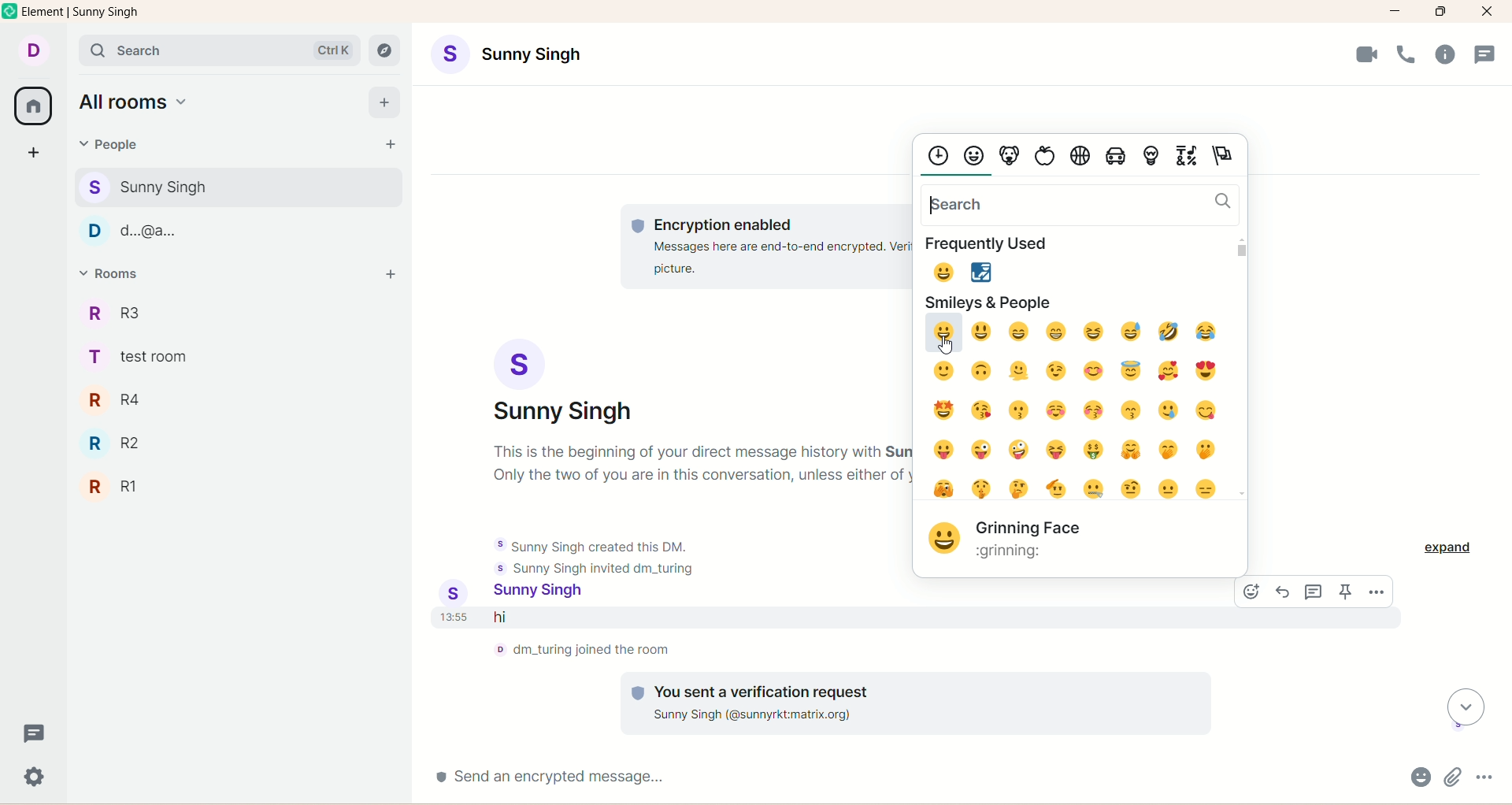 This screenshot has width=1512, height=805. I want to click on Face with hand over mouth, so click(1169, 449).